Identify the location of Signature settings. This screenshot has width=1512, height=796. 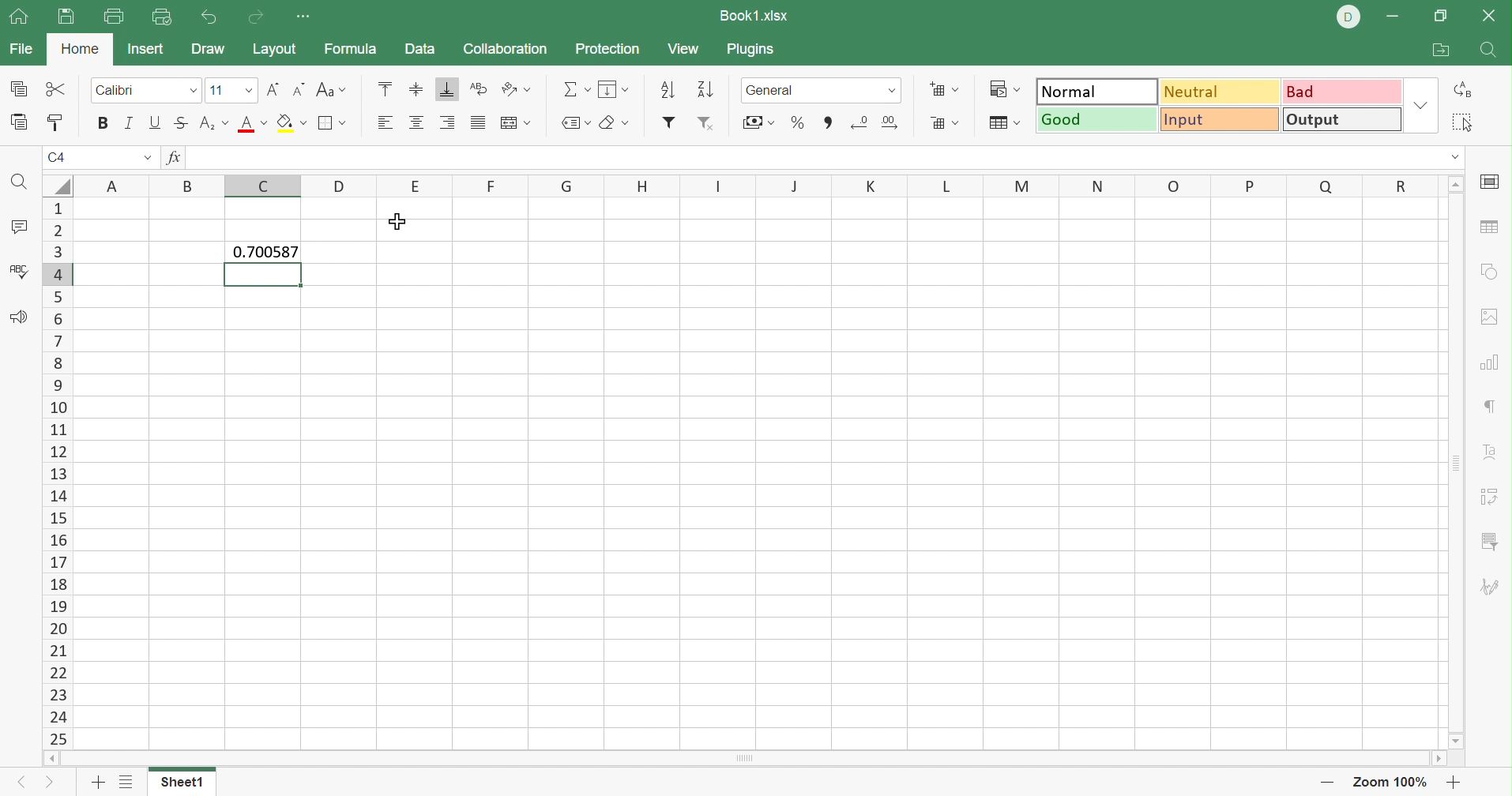
(1493, 591).